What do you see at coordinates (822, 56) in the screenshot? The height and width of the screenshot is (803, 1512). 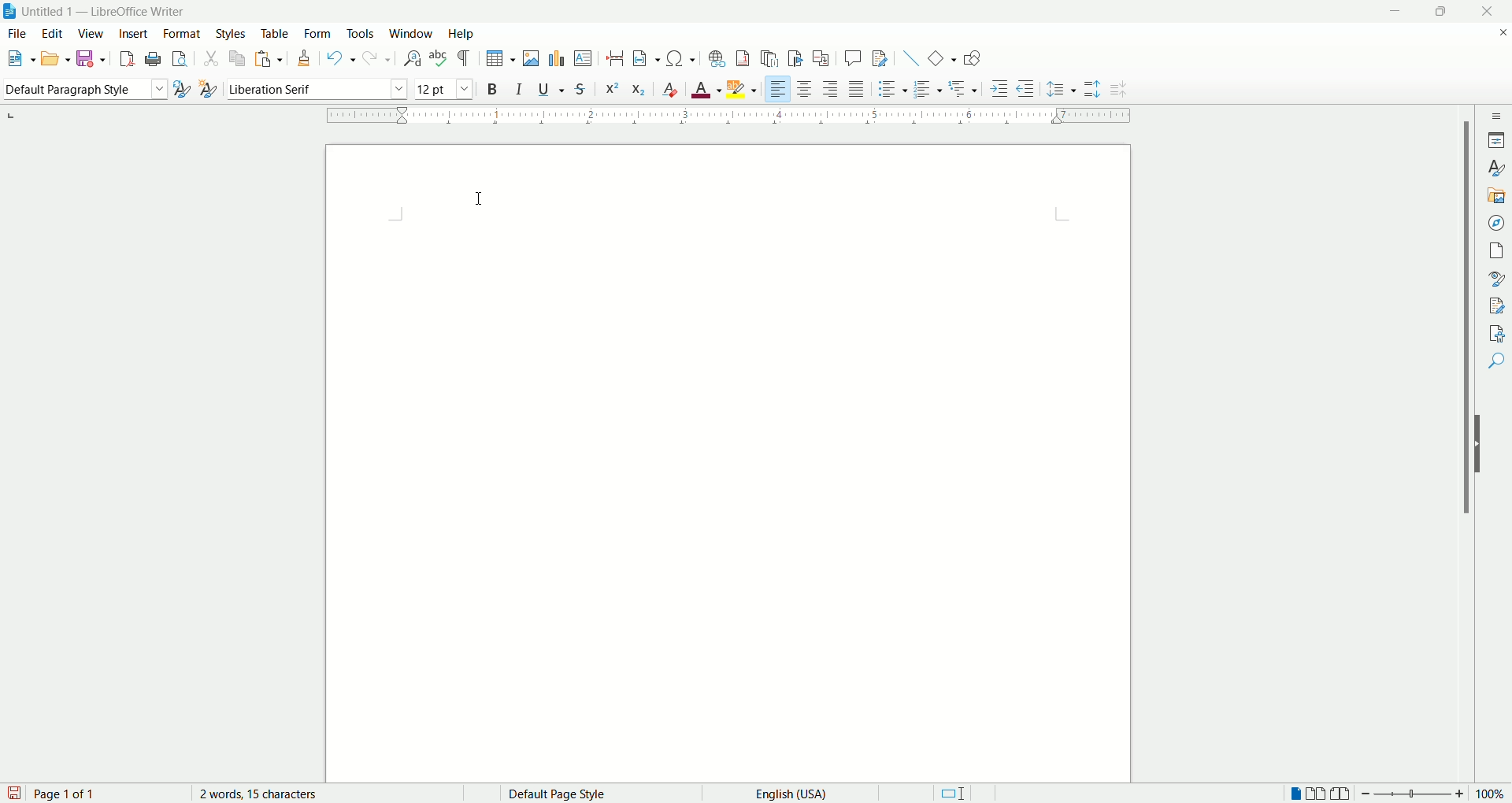 I see `insert cross references` at bounding box center [822, 56].